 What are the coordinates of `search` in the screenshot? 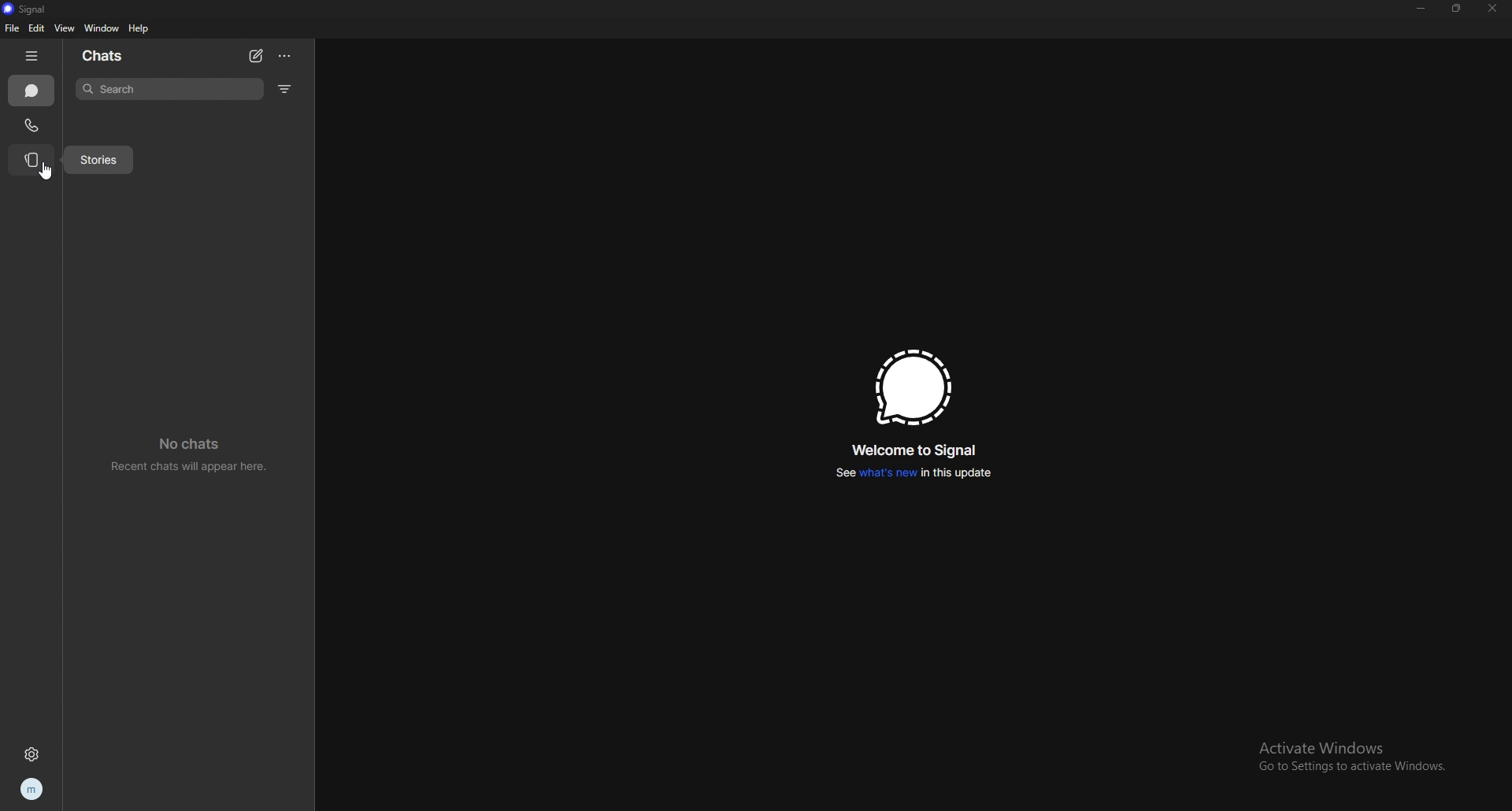 It's located at (169, 89).